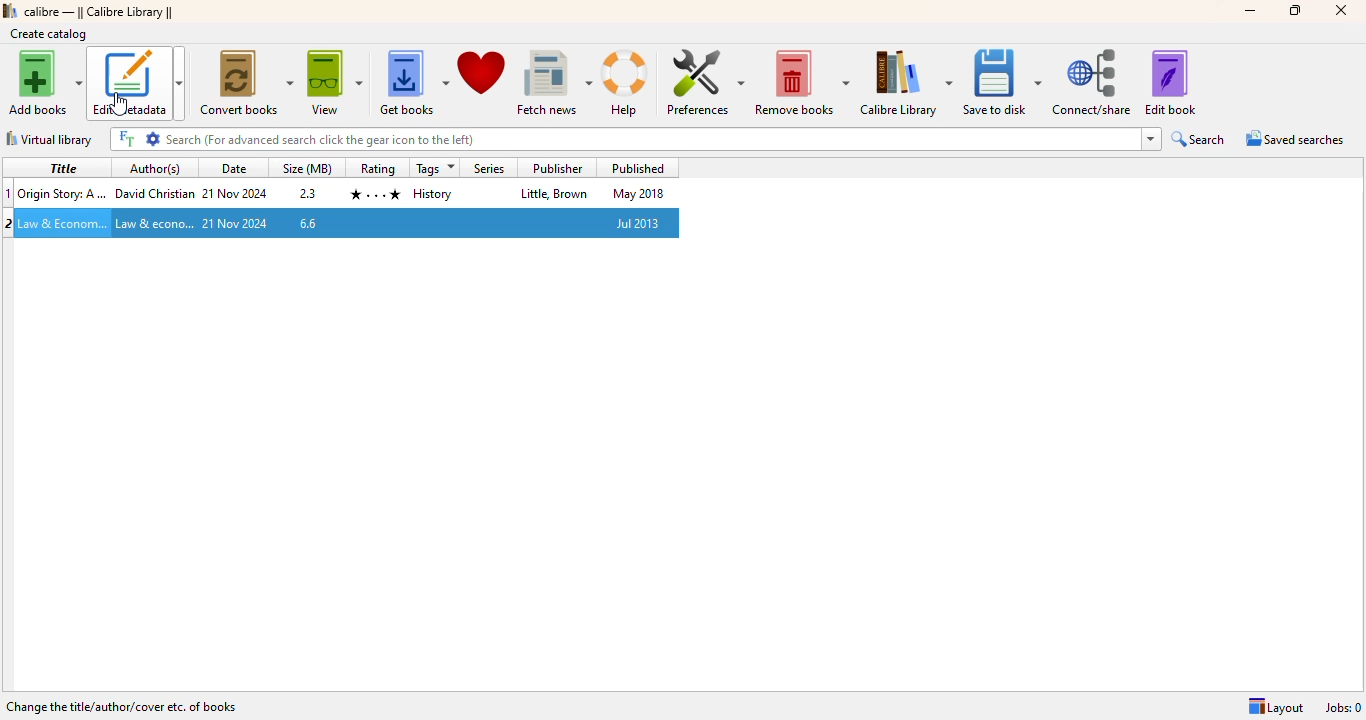 Image resolution: width=1366 pixels, height=720 pixels. Describe the element at coordinates (483, 74) in the screenshot. I see `donate to support calibre` at that location.